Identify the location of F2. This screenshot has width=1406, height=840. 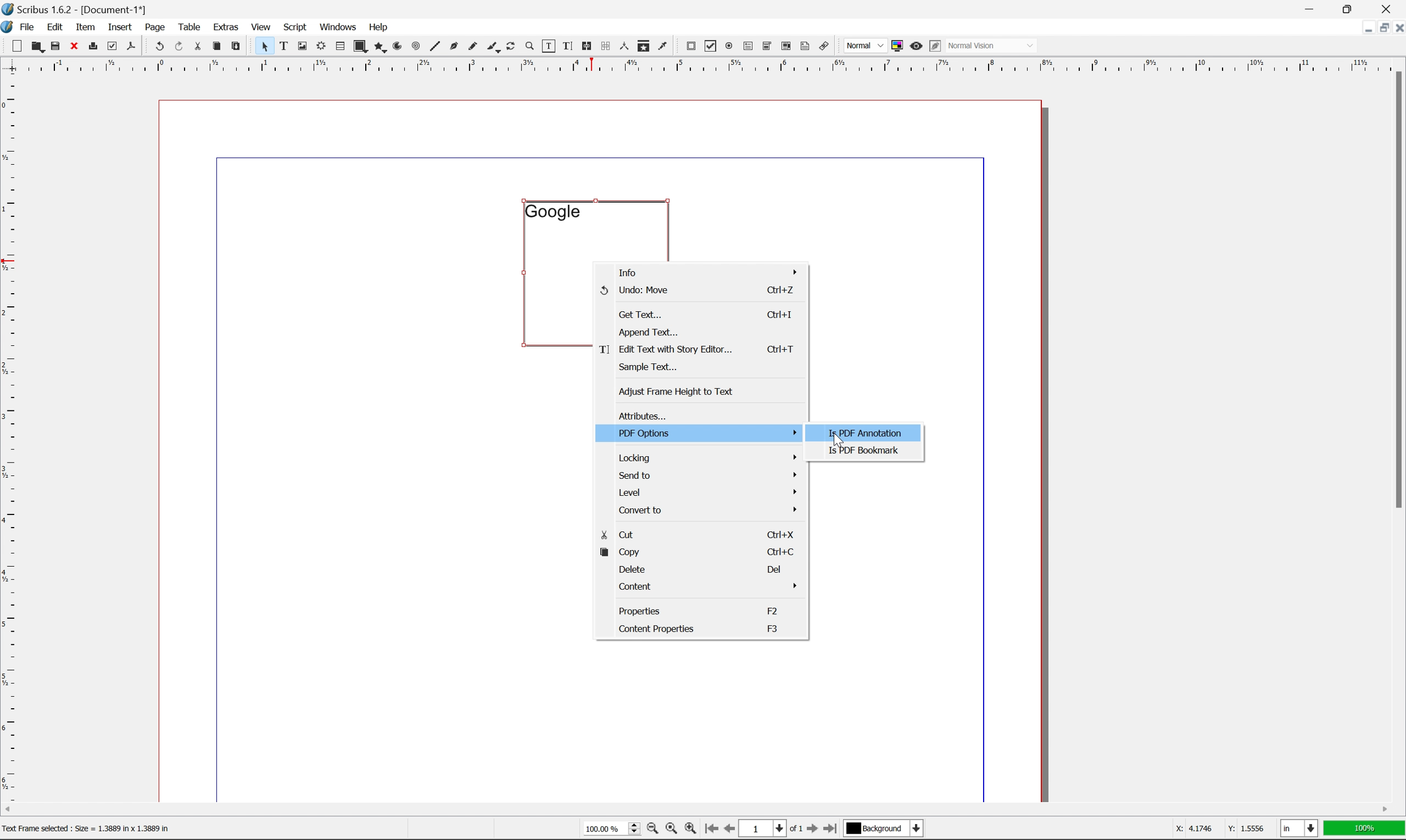
(773, 610).